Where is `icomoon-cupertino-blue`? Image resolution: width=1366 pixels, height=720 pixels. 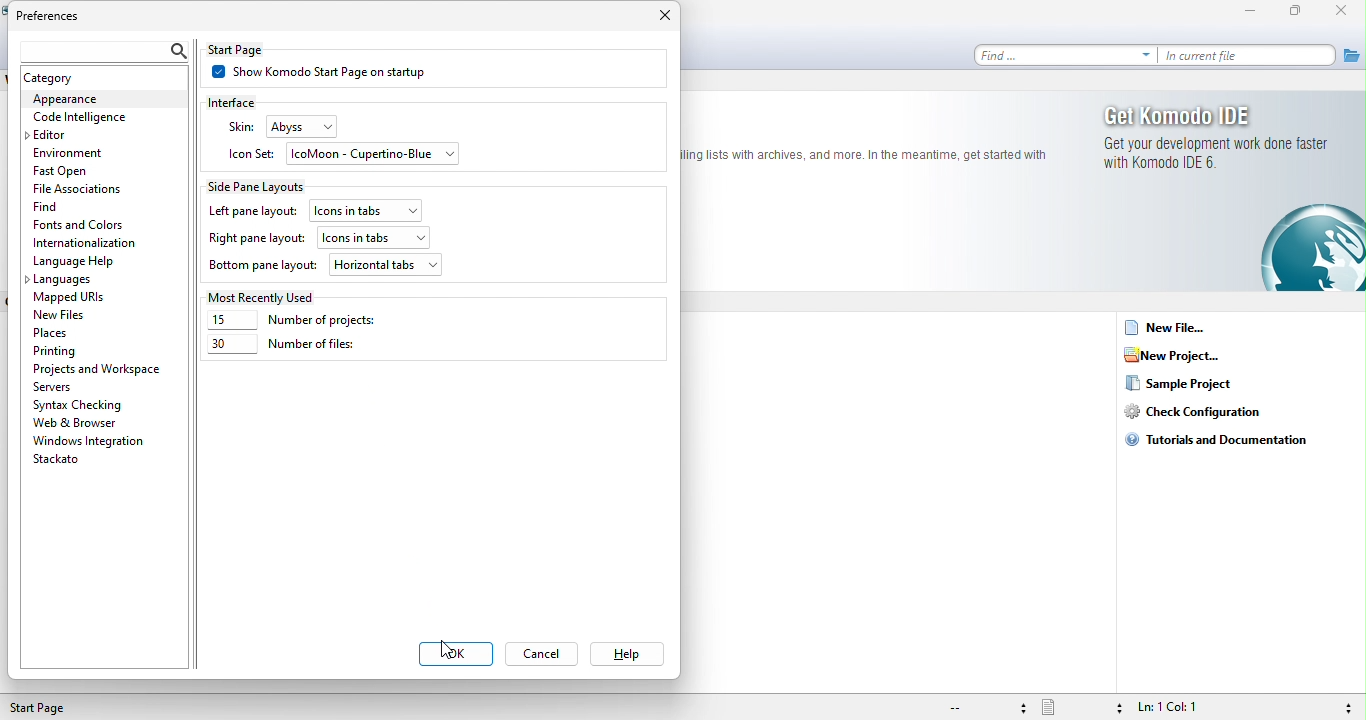 icomoon-cupertino-blue is located at coordinates (375, 156).